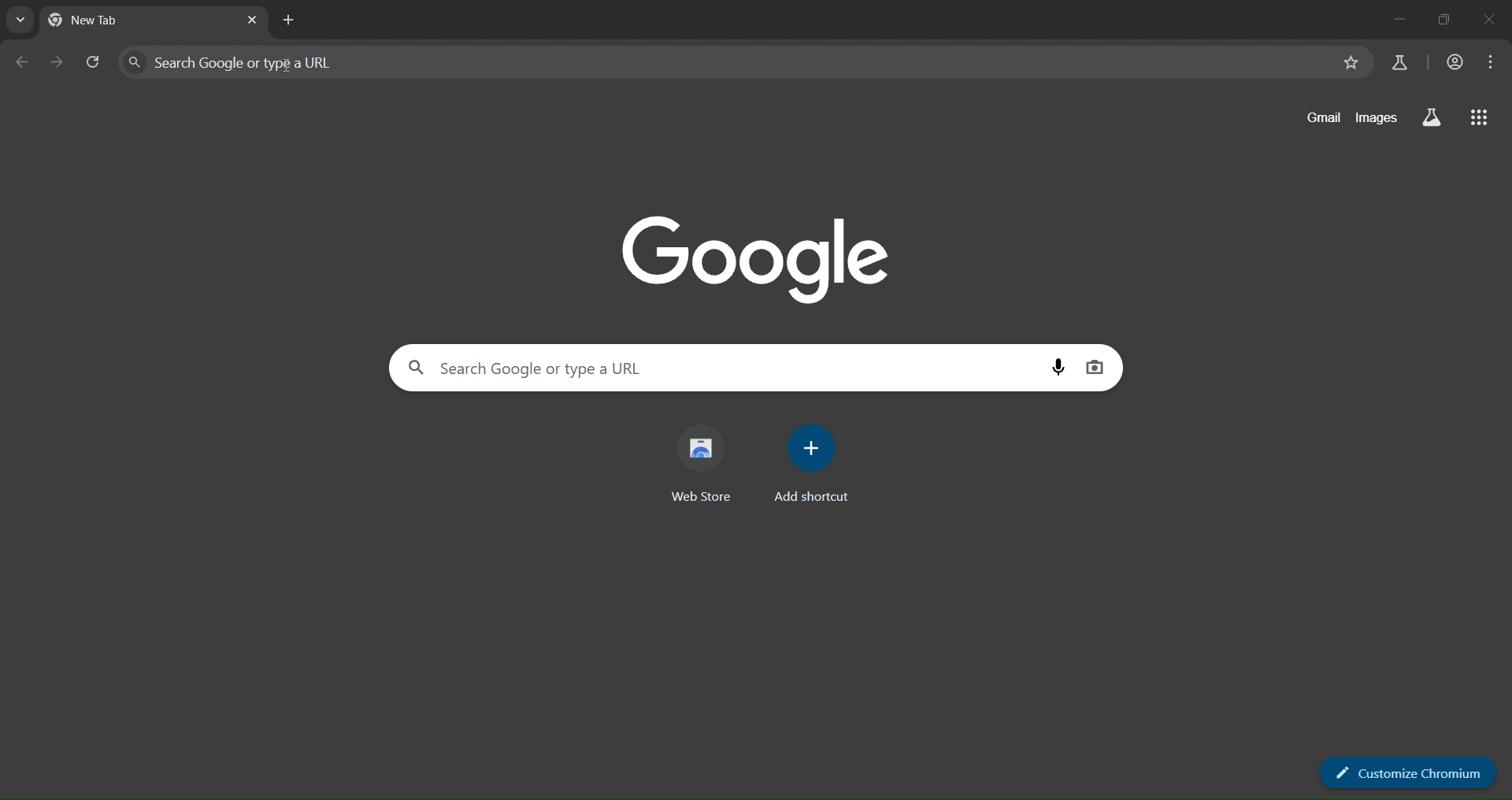  What do you see at coordinates (724, 61) in the screenshot?
I see `Search Google or type a URL` at bounding box center [724, 61].